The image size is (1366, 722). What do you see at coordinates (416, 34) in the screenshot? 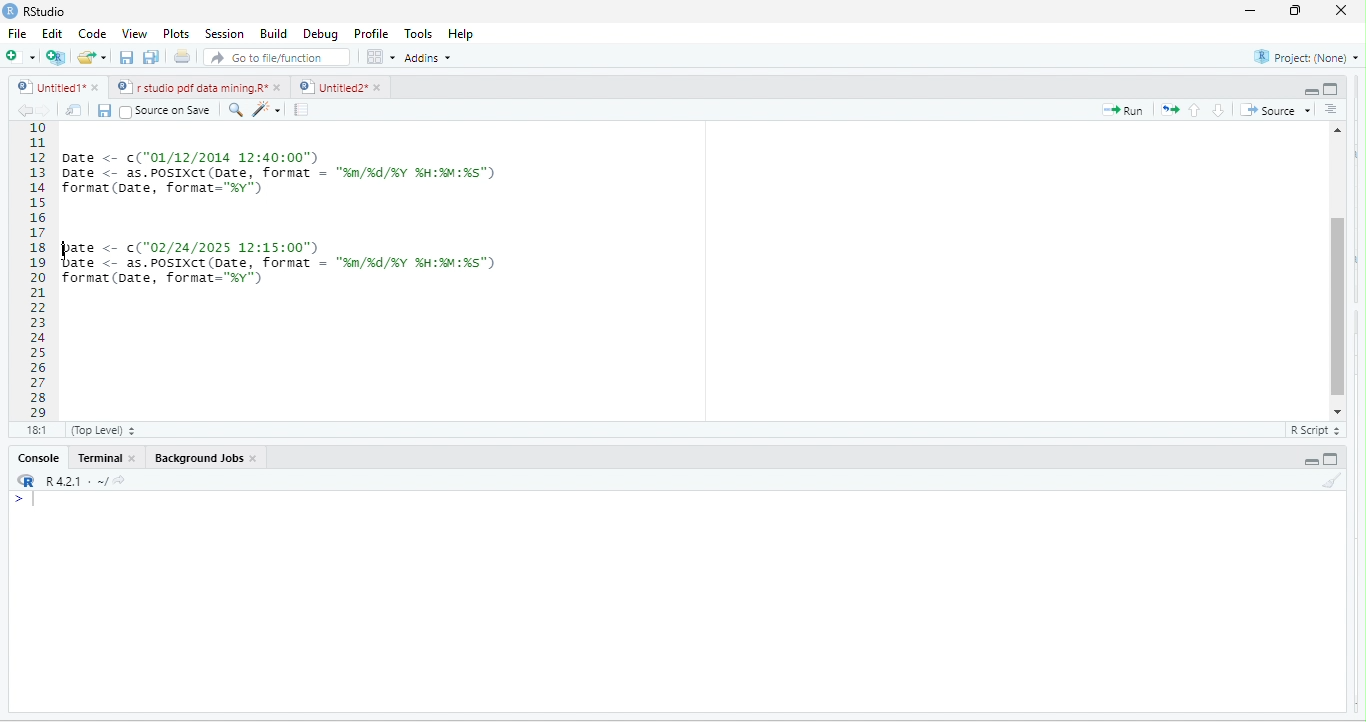
I see `Tools` at bounding box center [416, 34].